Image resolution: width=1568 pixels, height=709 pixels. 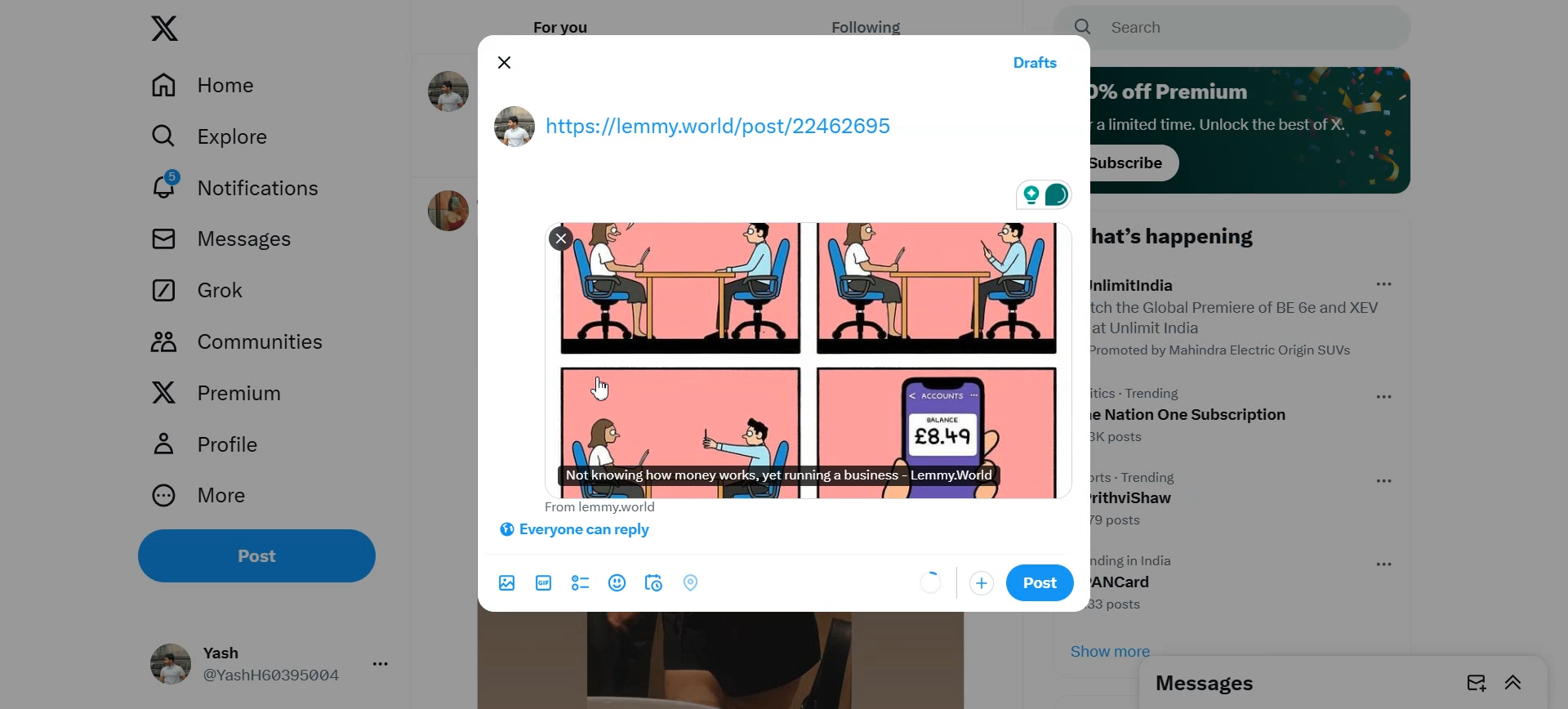 I want to click on options, so click(x=1385, y=285).